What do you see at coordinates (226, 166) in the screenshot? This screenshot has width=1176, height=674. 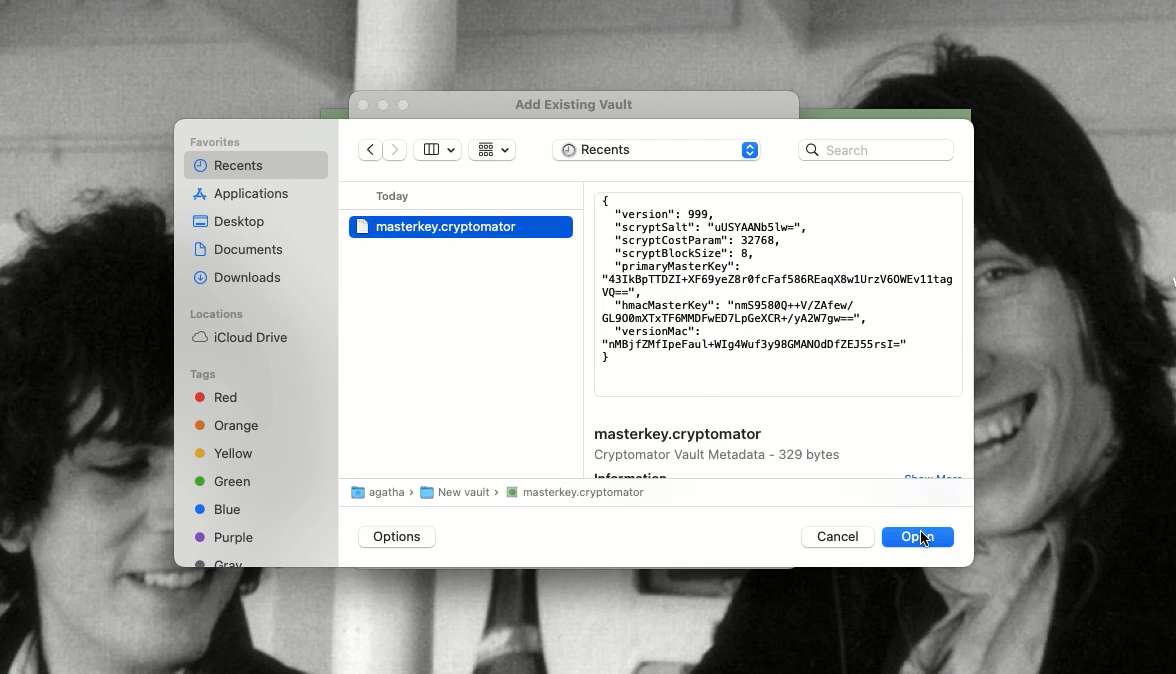 I see `Recents` at bounding box center [226, 166].